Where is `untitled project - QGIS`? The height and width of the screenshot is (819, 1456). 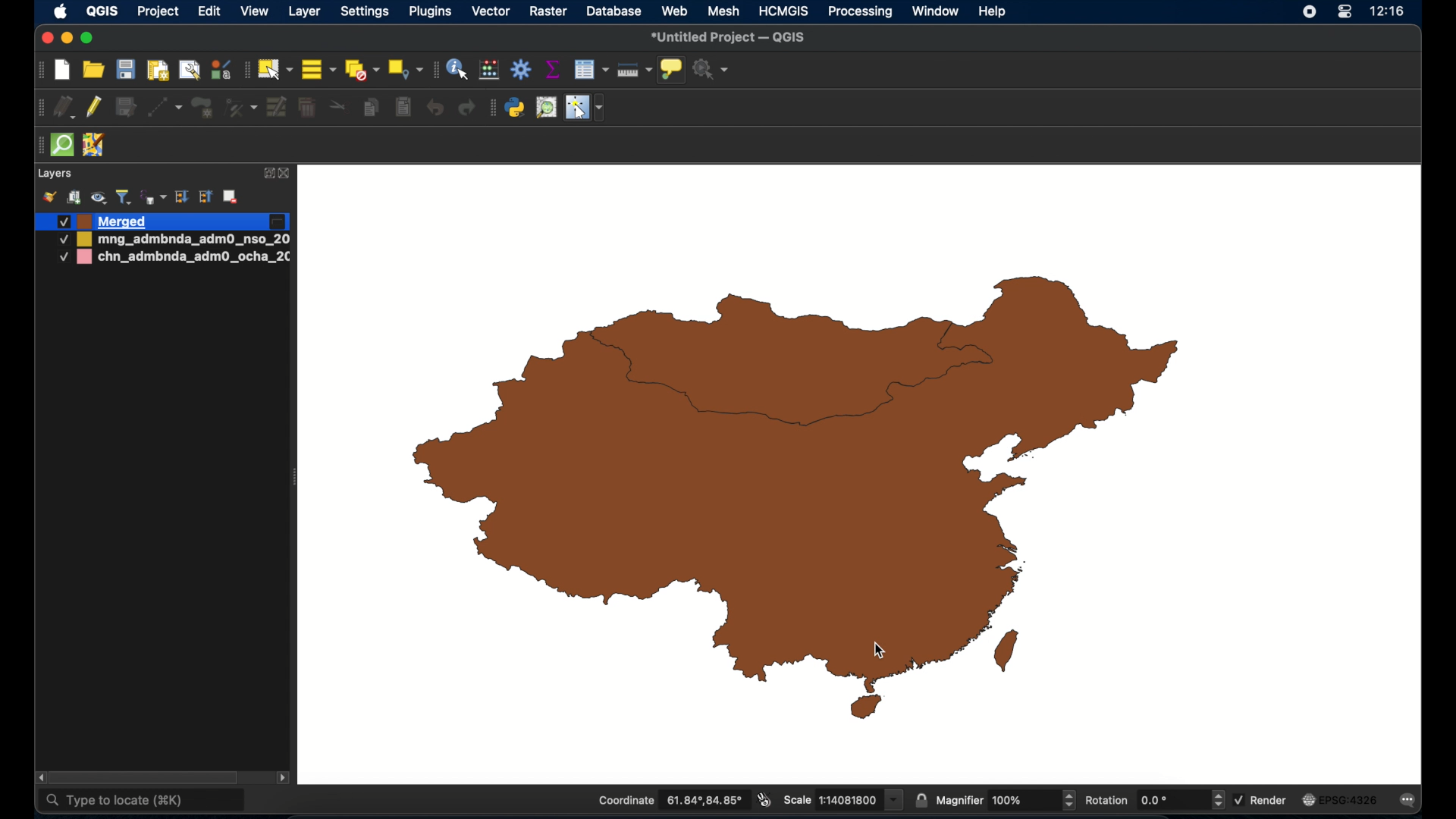 untitled project - QGIS is located at coordinates (730, 38).